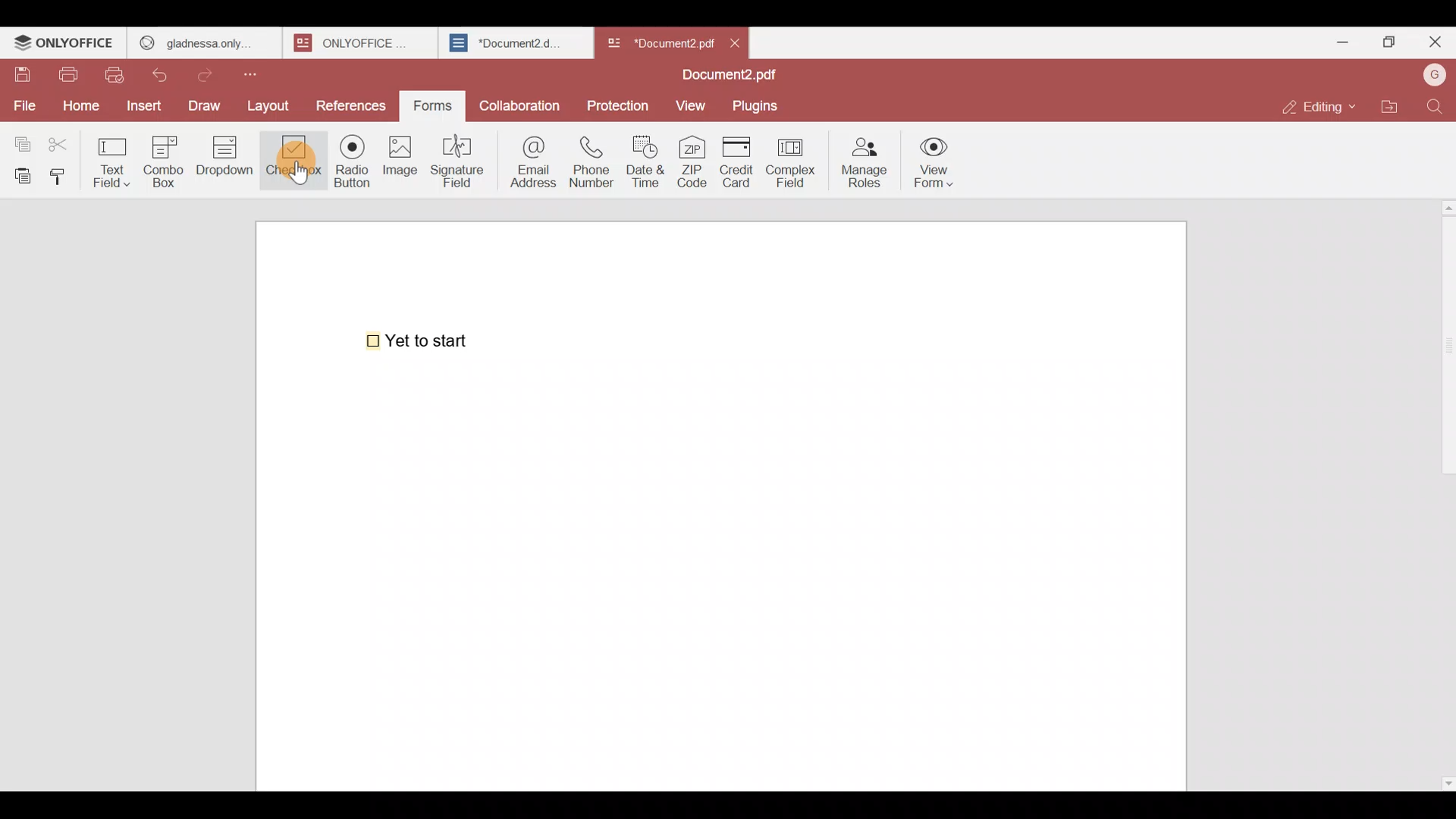  I want to click on Redo, so click(212, 71).